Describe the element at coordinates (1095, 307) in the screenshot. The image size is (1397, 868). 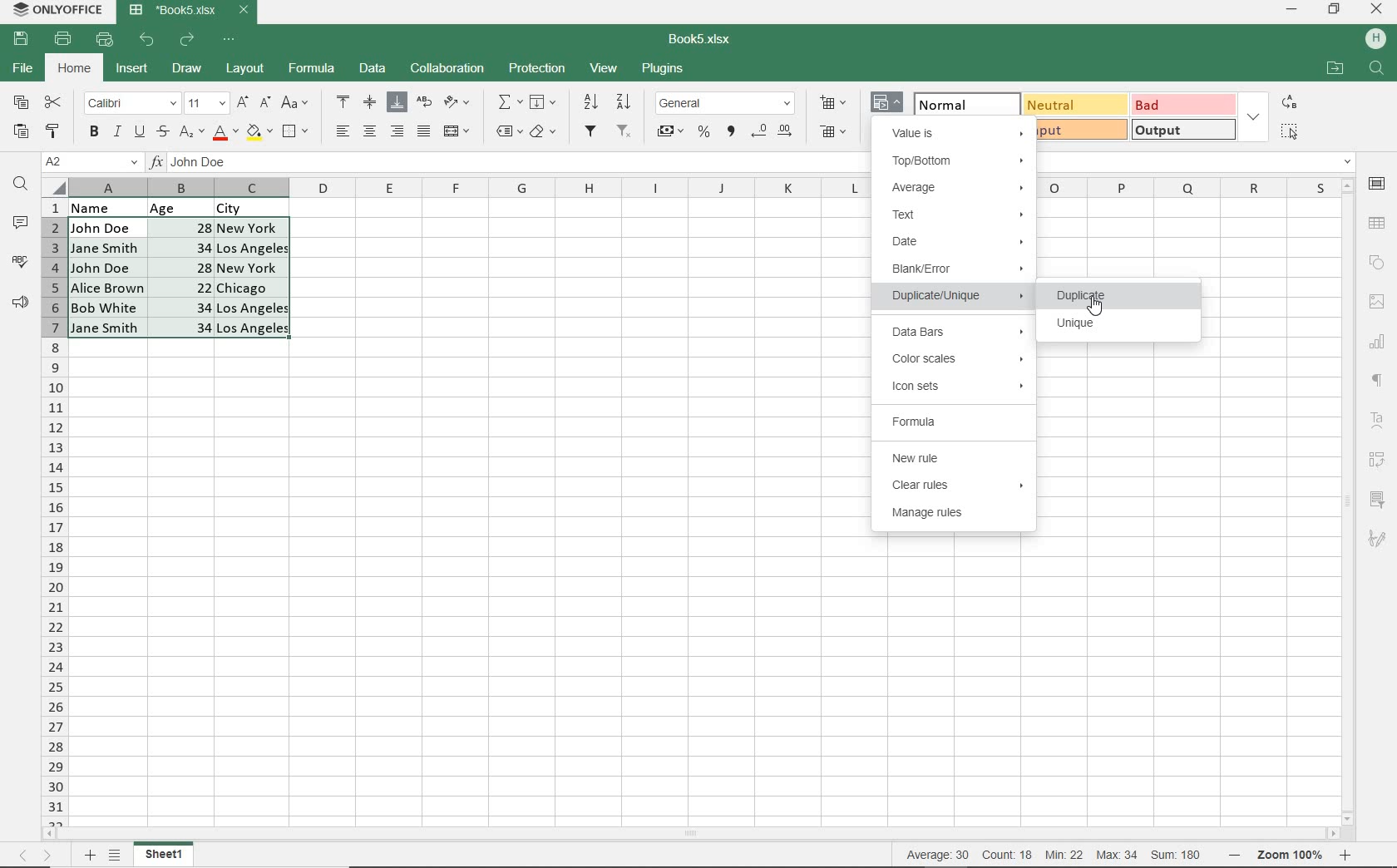
I see `cursor` at that location.